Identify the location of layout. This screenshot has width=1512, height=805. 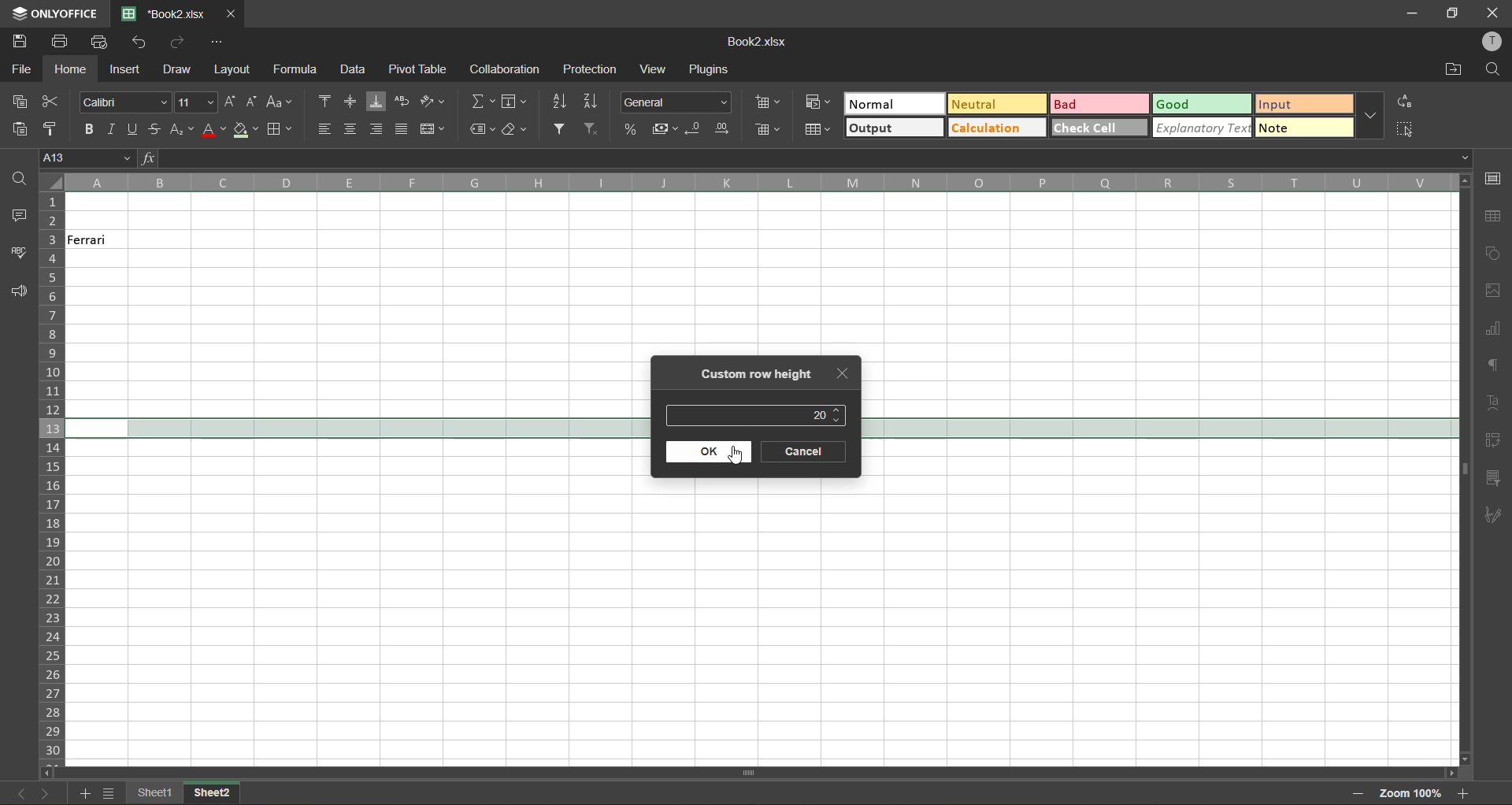
(231, 70).